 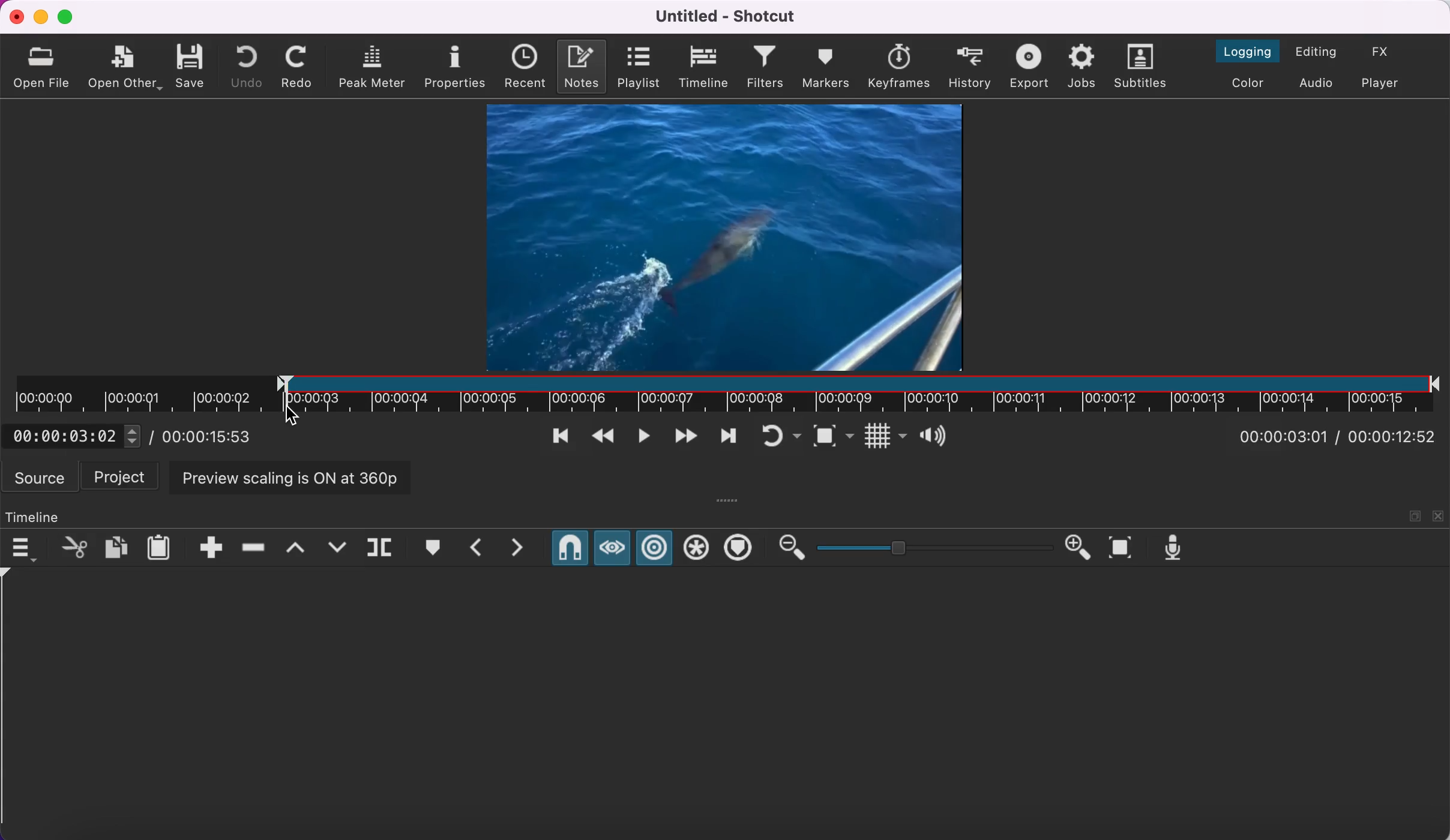 I want to click on zoom graduation, so click(x=933, y=547).